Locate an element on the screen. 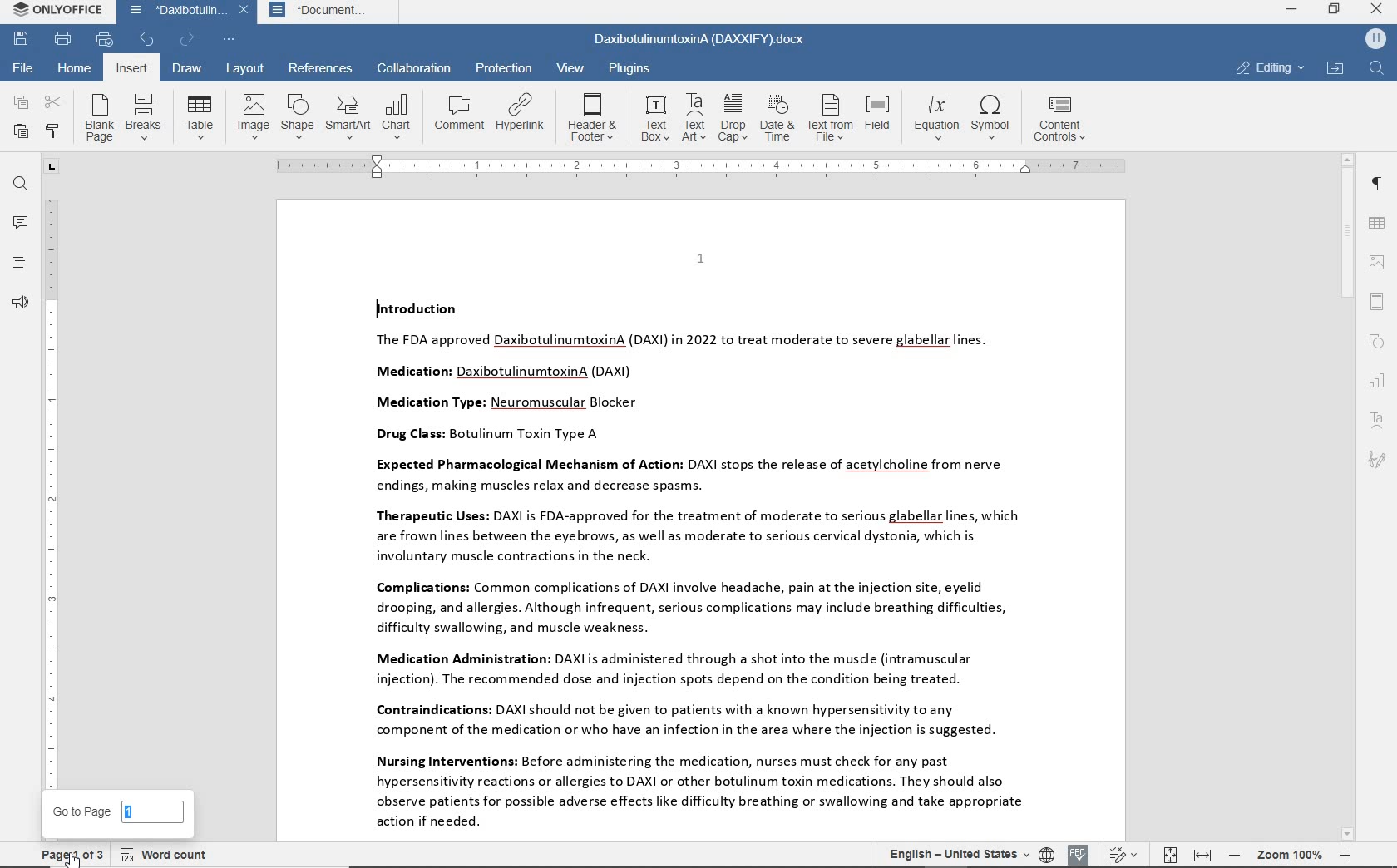 The height and width of the screenshot is (868, 1397). text art is located at coordinates (694, 117).